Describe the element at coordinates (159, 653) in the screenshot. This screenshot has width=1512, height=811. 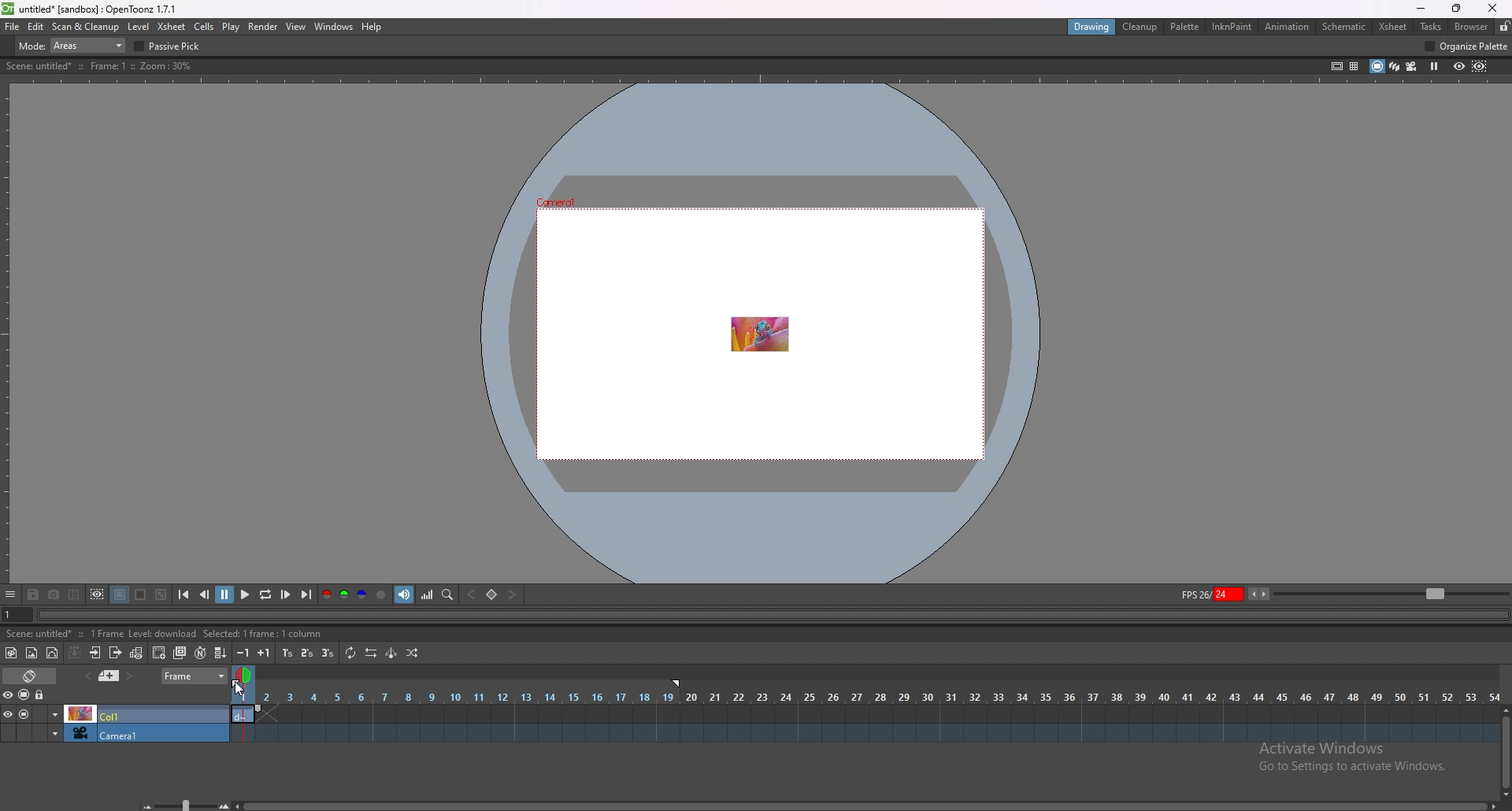
I see `create blank drawing` at that location.